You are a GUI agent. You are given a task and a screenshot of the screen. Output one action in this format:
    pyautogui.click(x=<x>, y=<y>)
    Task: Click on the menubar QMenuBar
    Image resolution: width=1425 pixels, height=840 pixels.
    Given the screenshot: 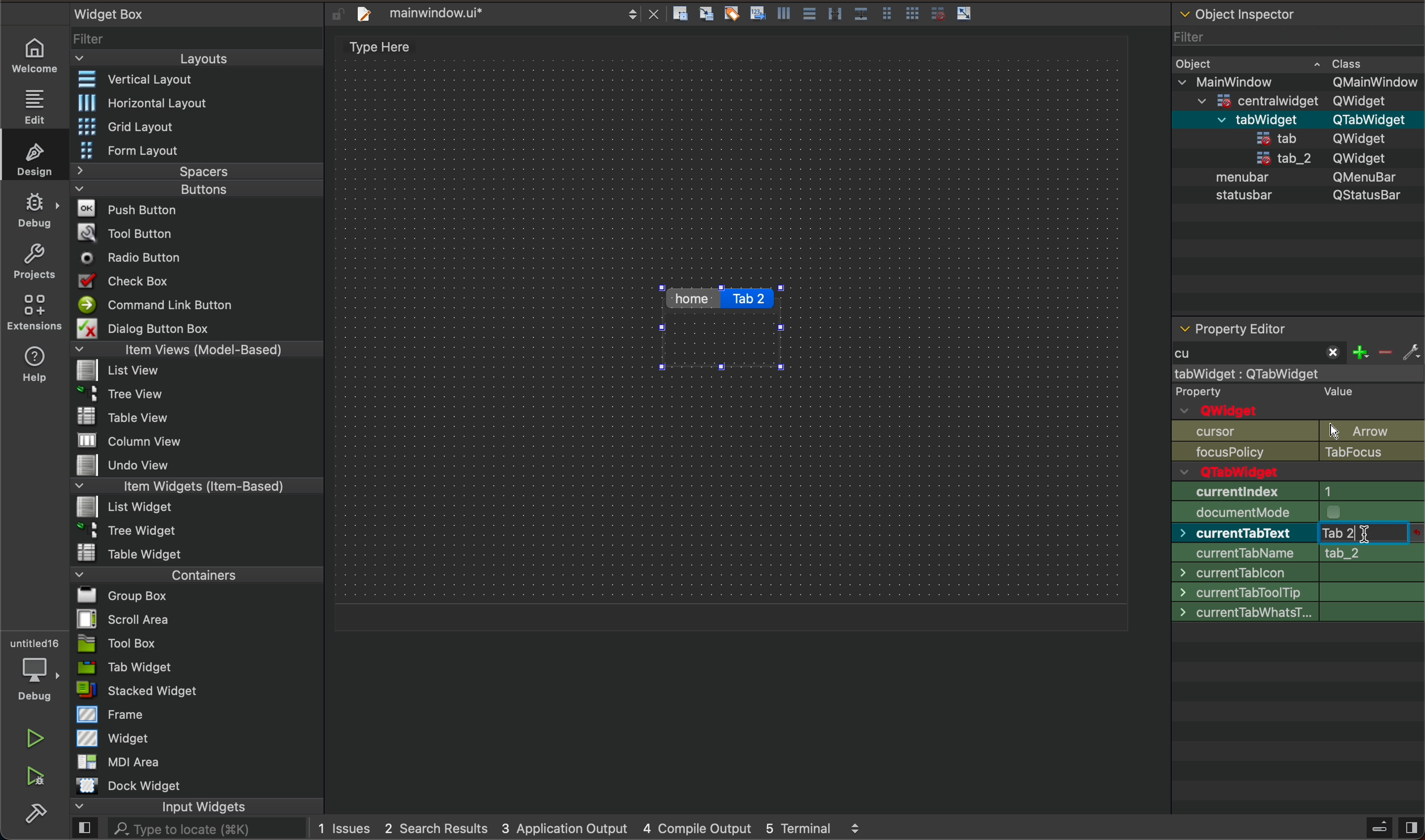 What is the action you would take?
    pyautogui.click(x=1295, y=118)
    